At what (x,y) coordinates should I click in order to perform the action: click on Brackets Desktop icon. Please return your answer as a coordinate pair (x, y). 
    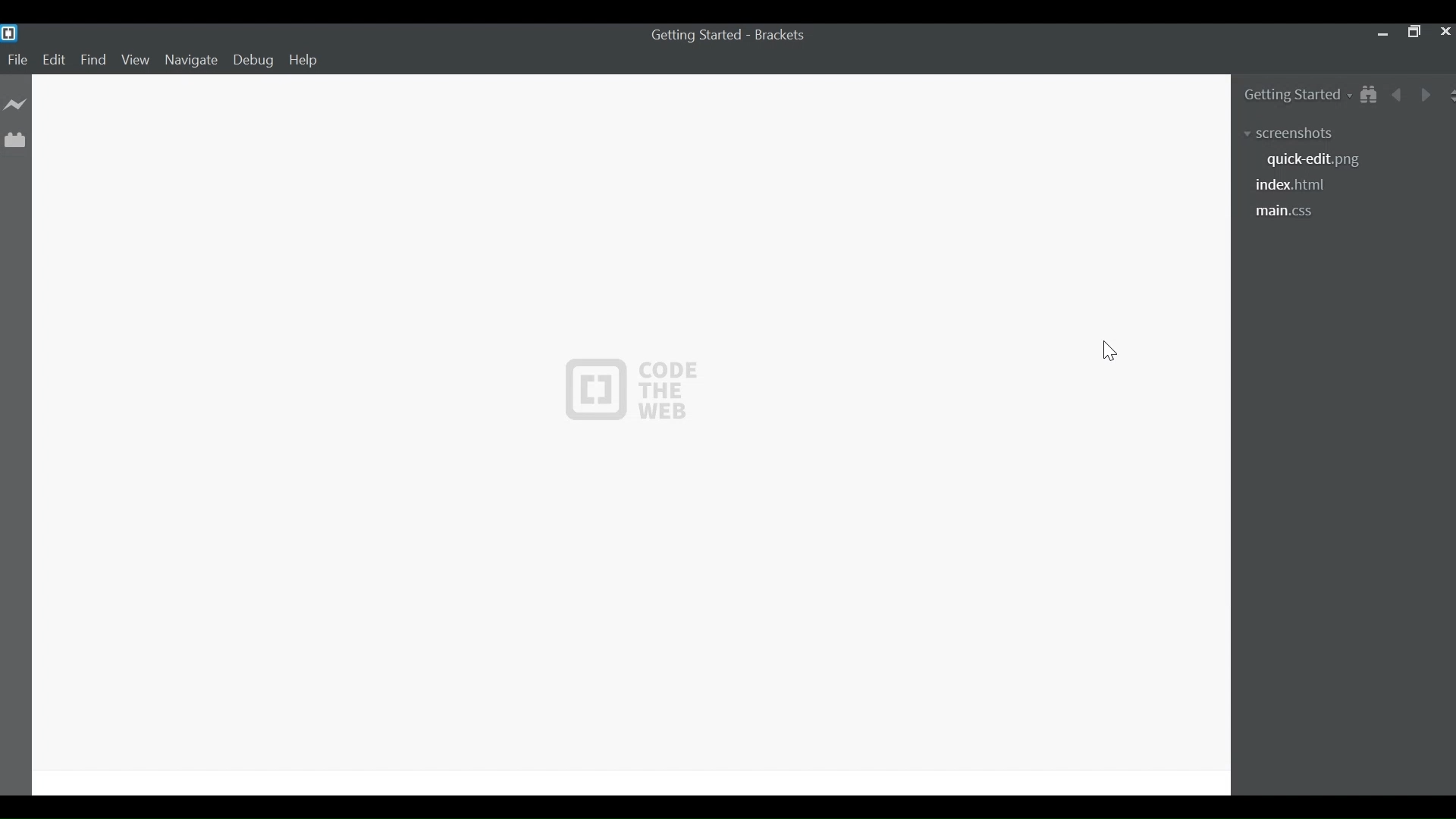
    Looking at the image, I should click on (9, 33).